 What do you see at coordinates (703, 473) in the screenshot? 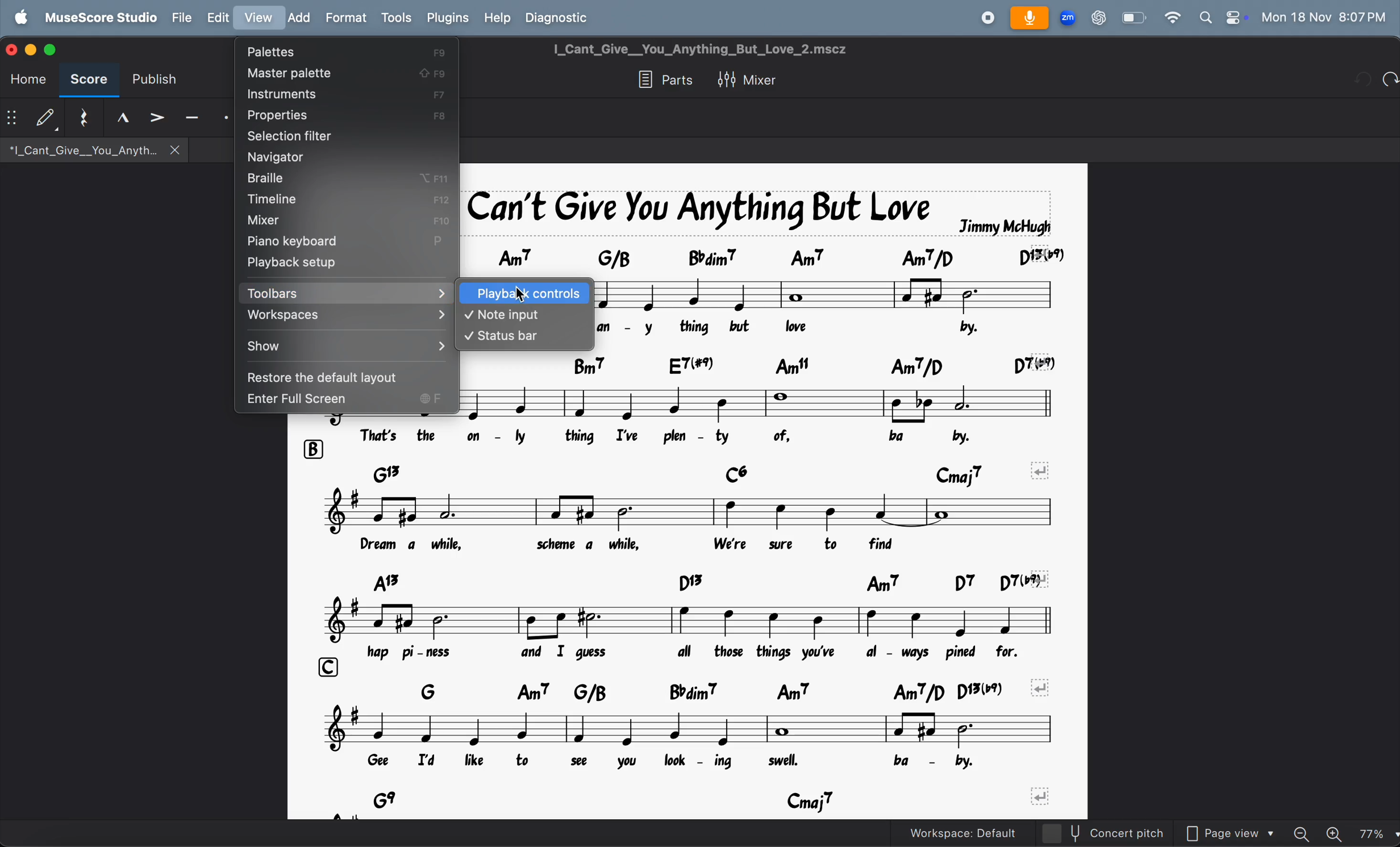
I see `chord symbols` at bounding box center [703, 473].